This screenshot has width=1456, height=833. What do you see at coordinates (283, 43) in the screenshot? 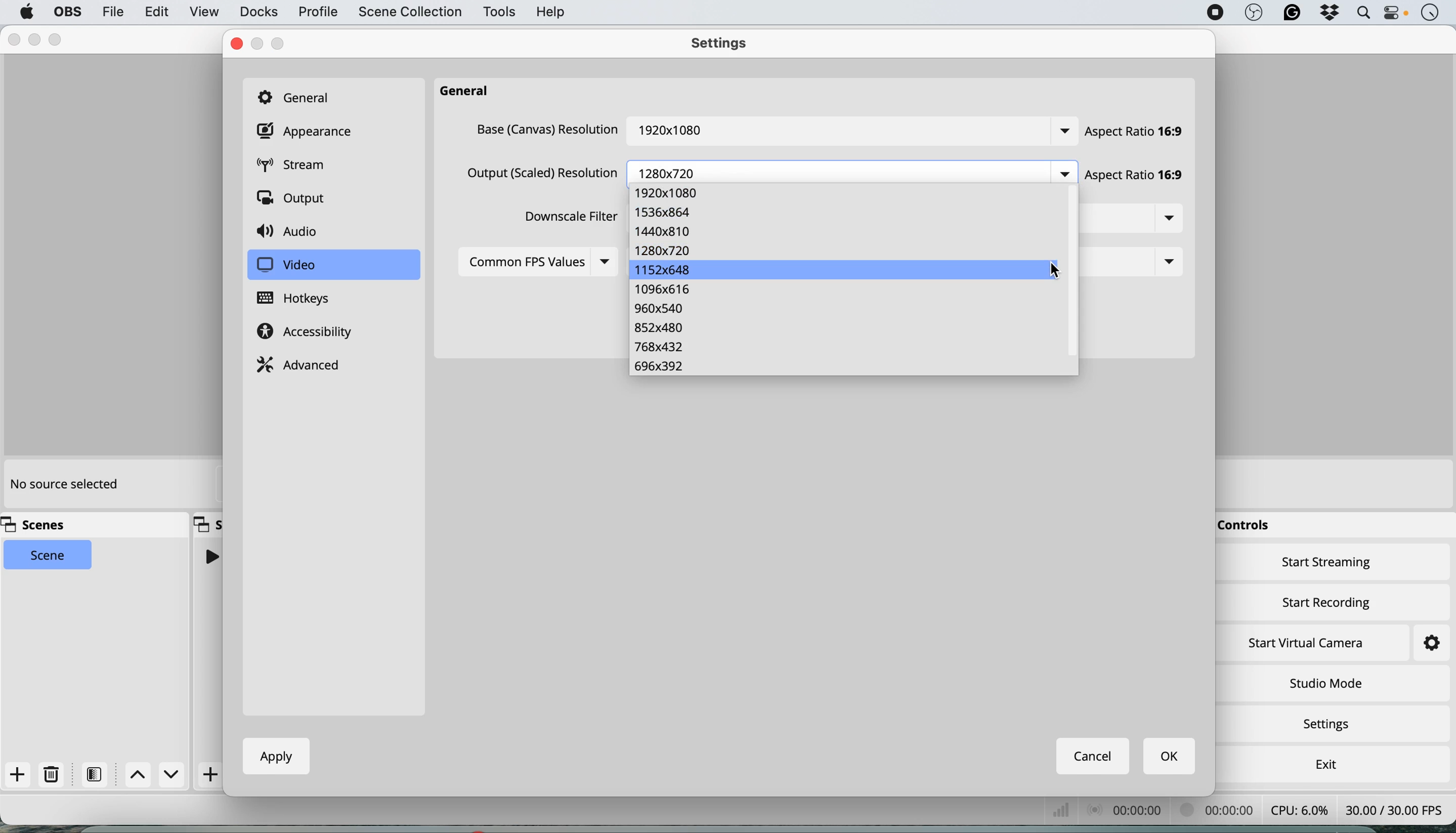
I see `maximise` at bounding box center [283, 43].